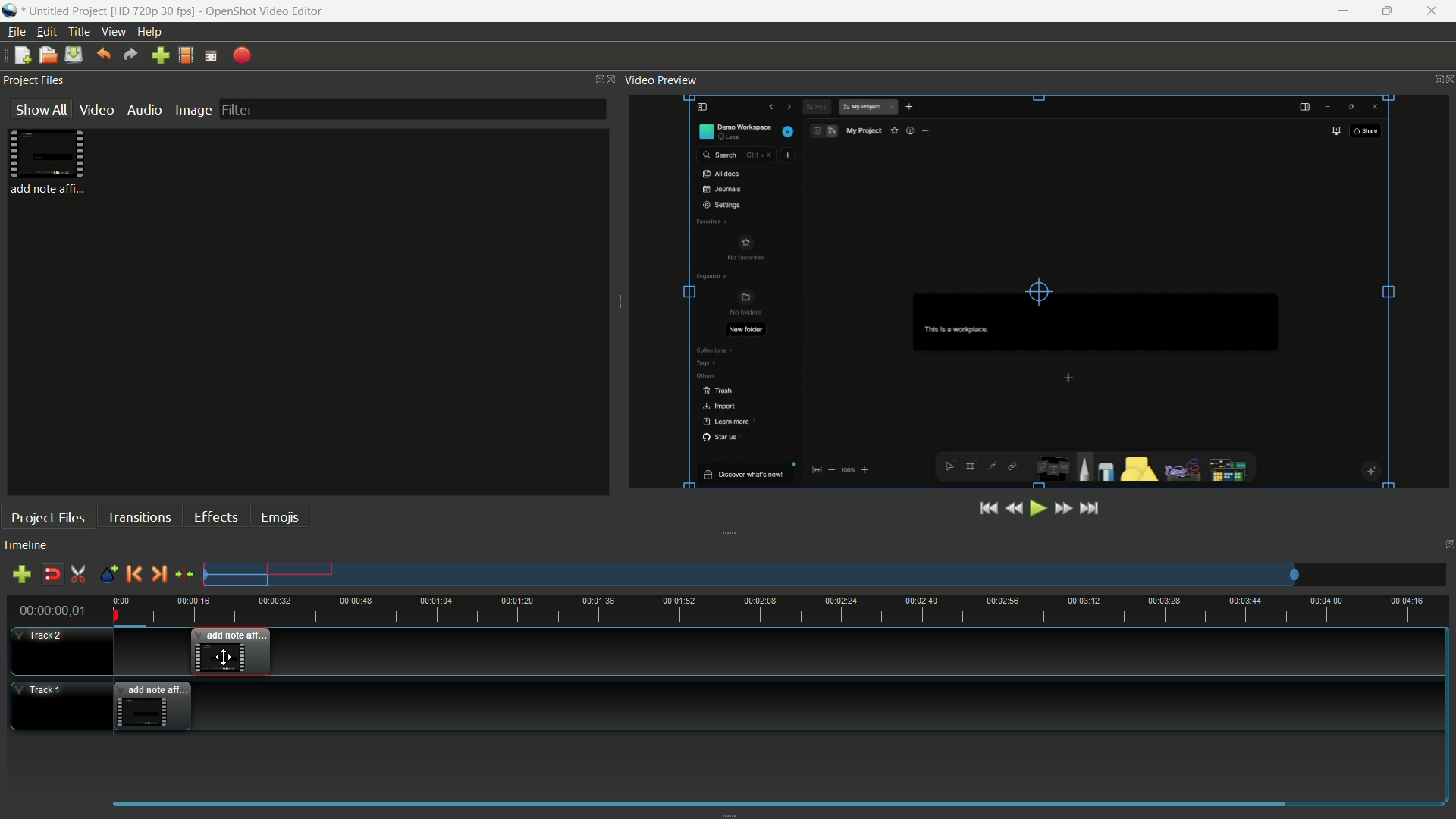  What do you see at coordinates (152, 704) in the screenshot?
I see `video in track-1` at bounding box center [152, 704].